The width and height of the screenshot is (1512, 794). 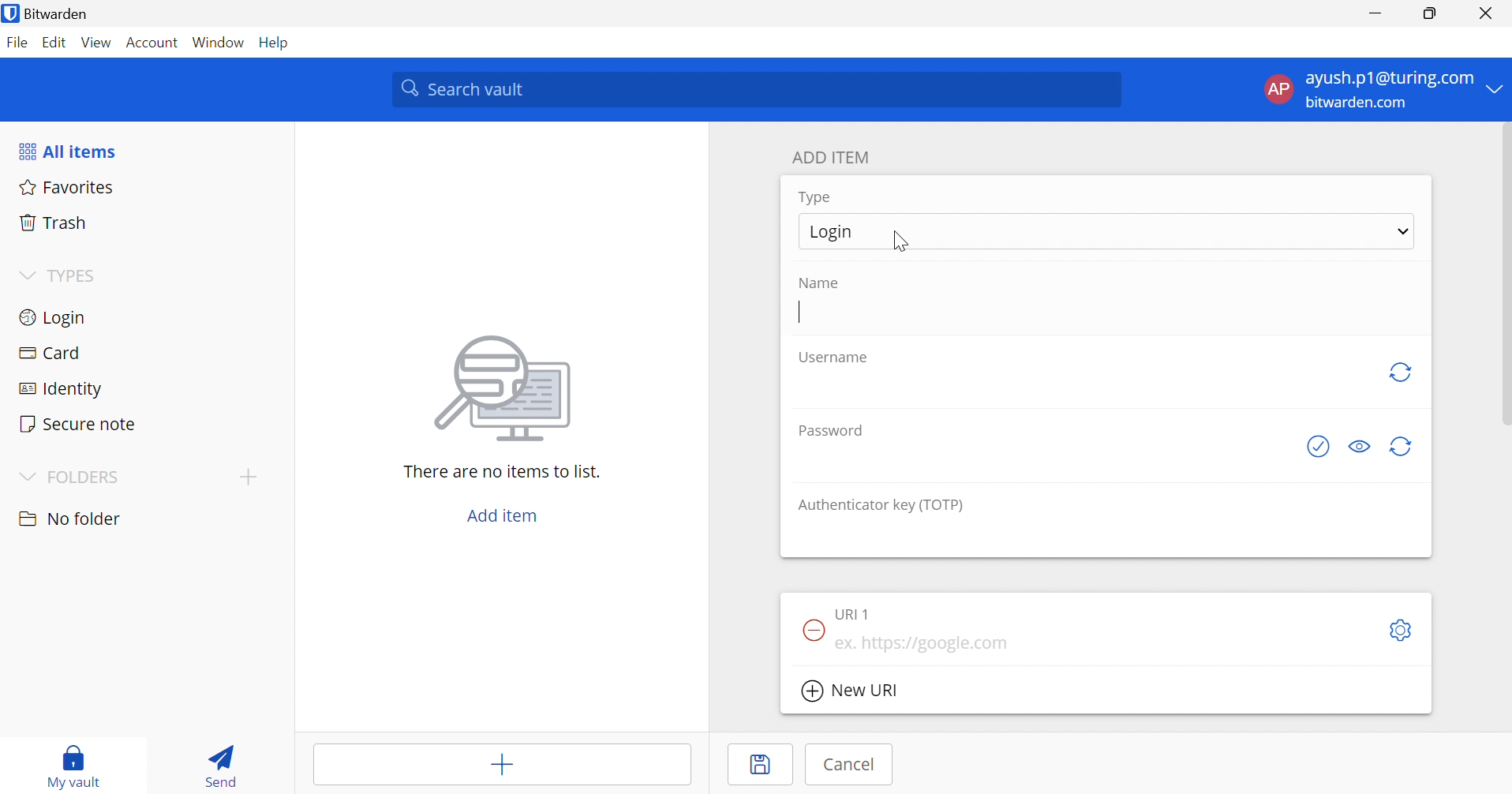 What do you see at coordinates (59, 389) in the screenshot?
I see `Identity` at bounding box center [59, 389].